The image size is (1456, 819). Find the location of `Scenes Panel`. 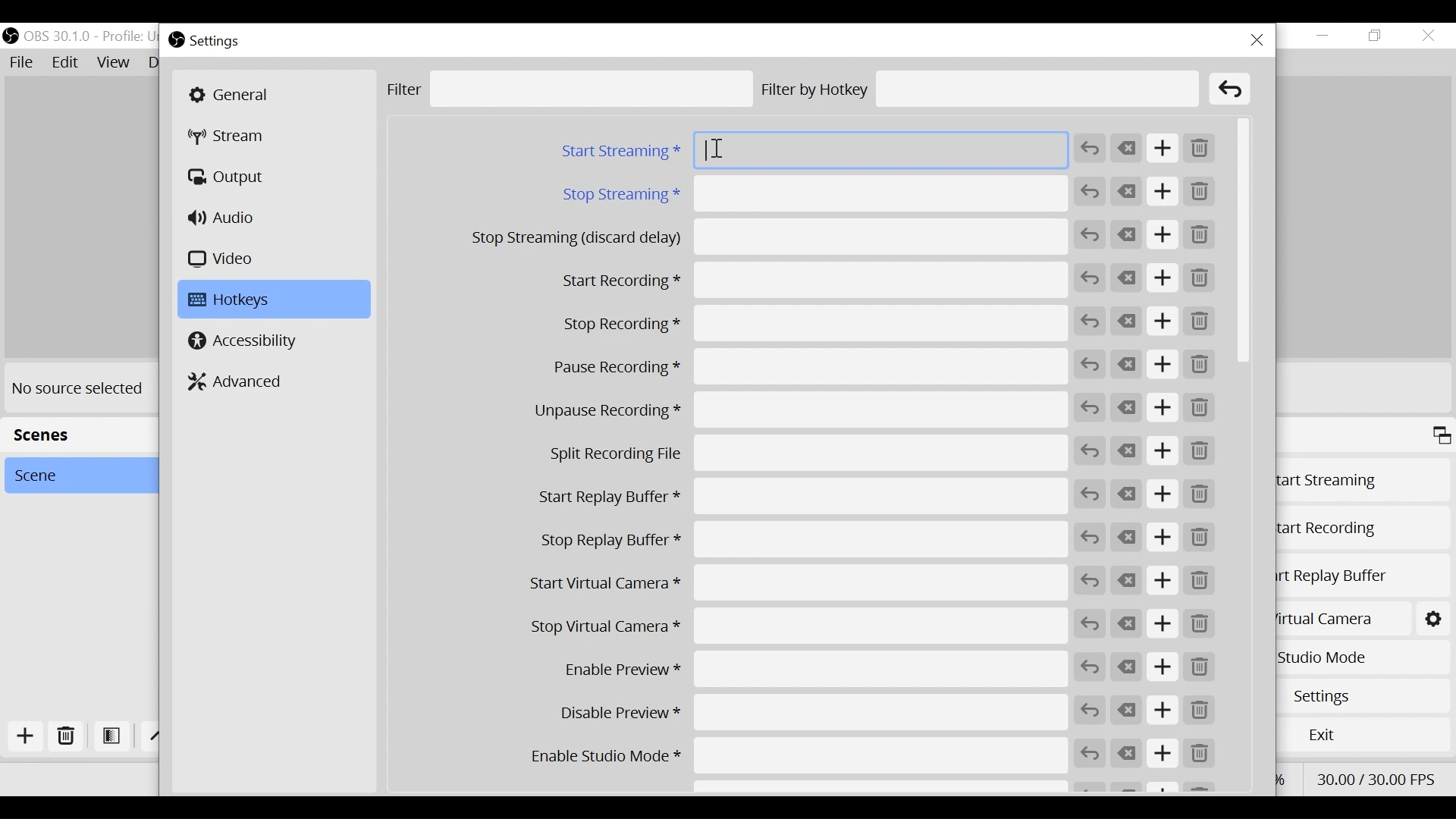

Scenes Panel is located at coordinates (74, 433).